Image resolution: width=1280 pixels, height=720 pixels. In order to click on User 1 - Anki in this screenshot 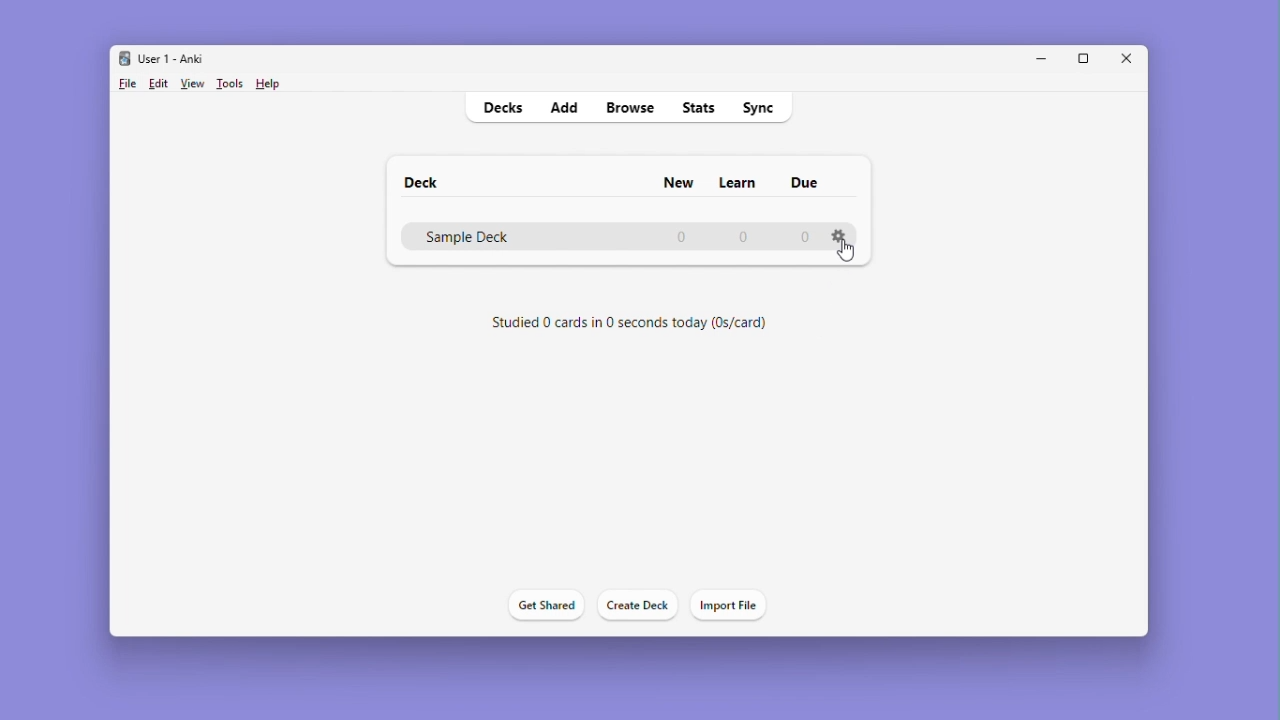, I will do `click(166, 58)`.